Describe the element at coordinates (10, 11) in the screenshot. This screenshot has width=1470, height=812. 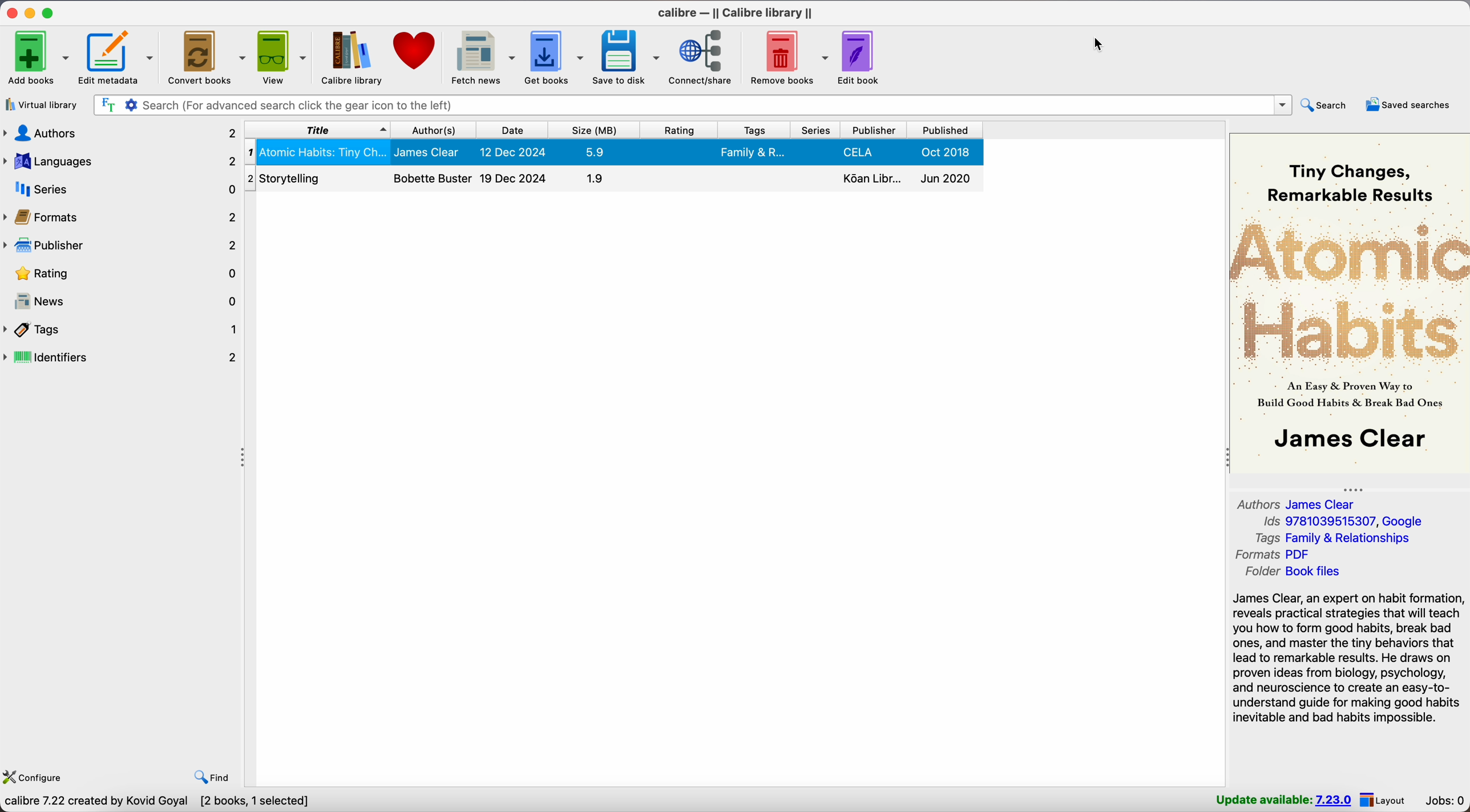
I see `close Calibre` at that location.